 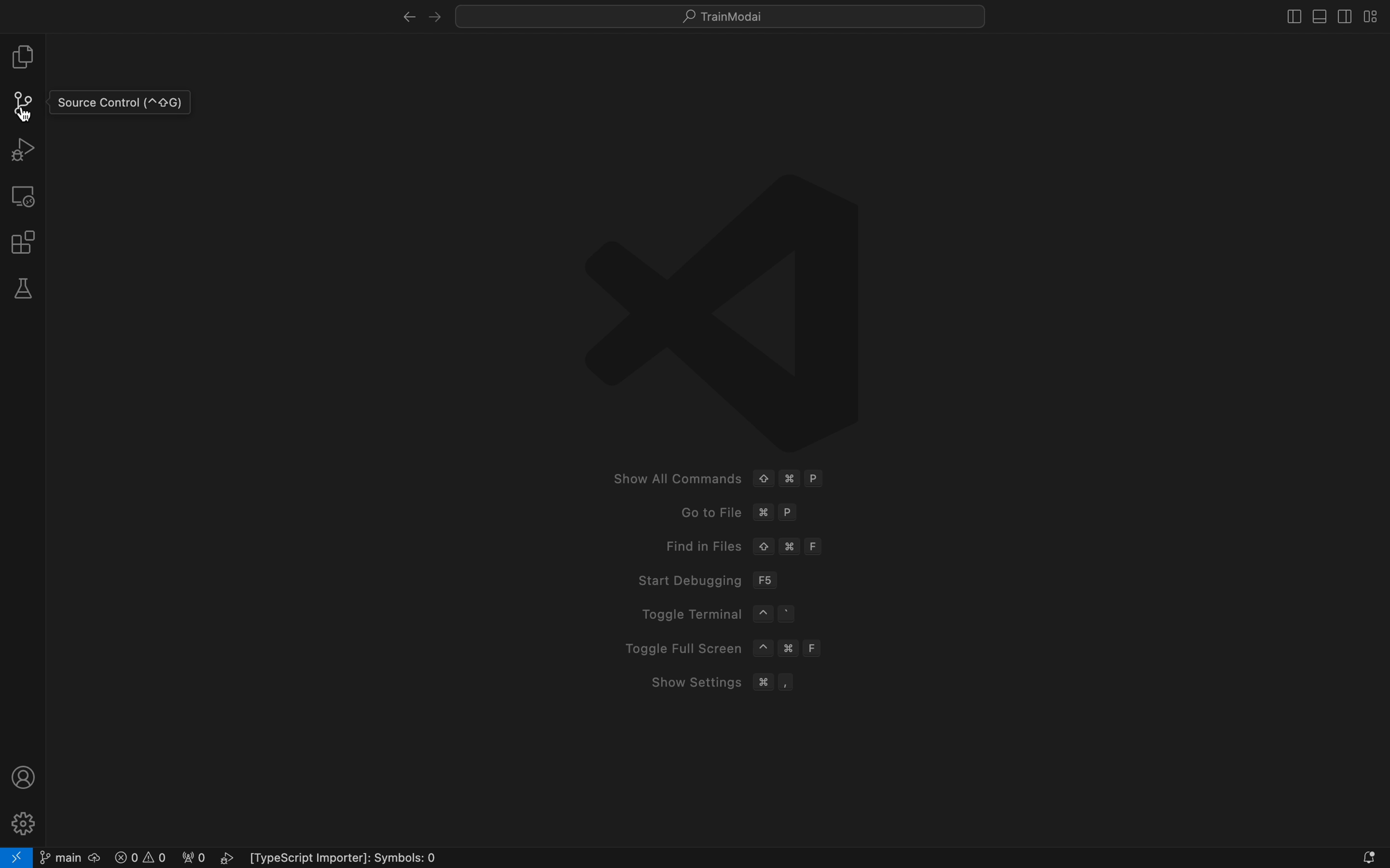 What do you see at coordinates (1343, 15) in the screenshot?
I see `toggle secondary bar` at bounding box center [1343, 15].